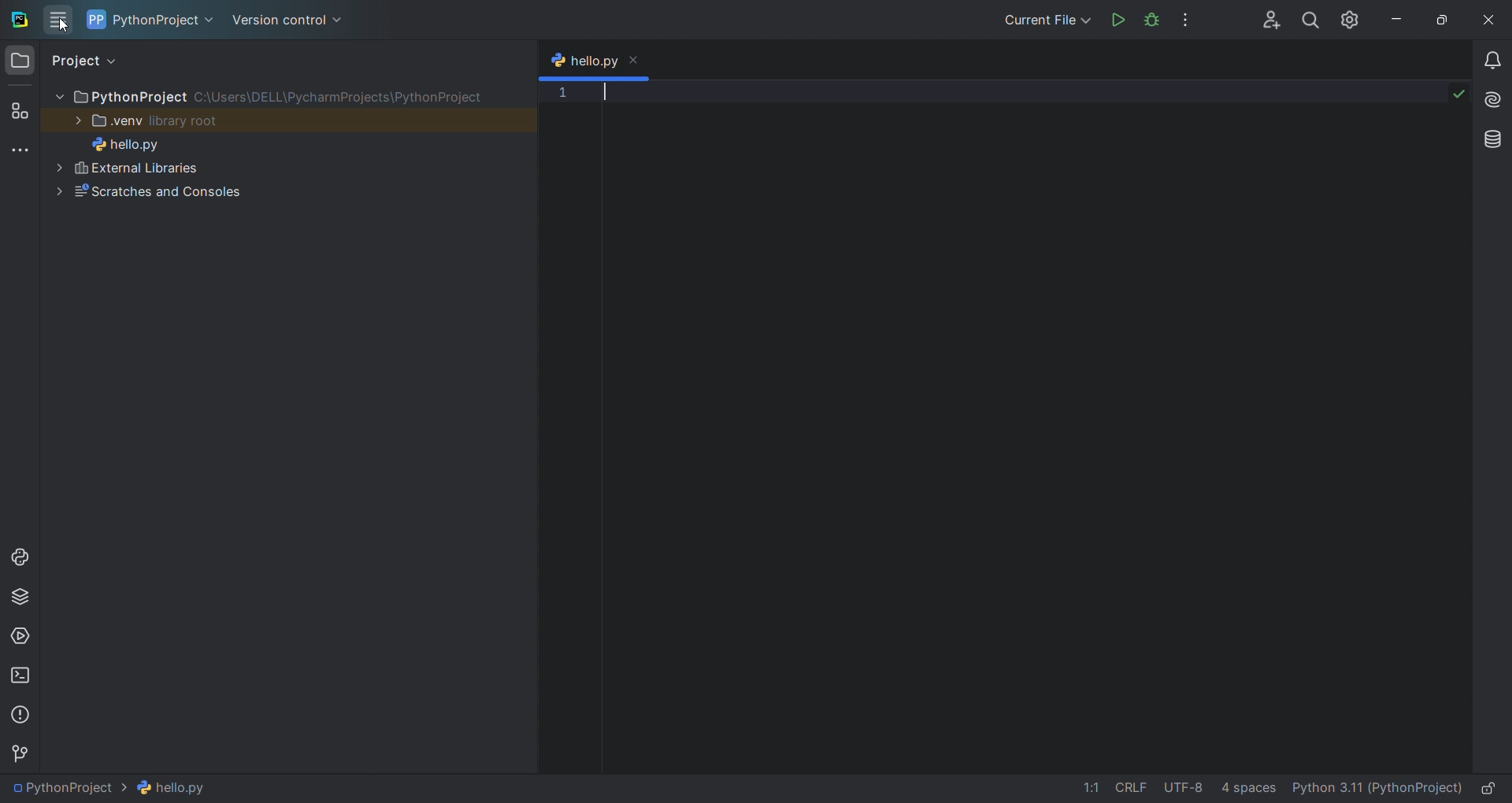 The height and width of the screenshot is (803, 1512). I want to click on collab, so click(1265, 19).